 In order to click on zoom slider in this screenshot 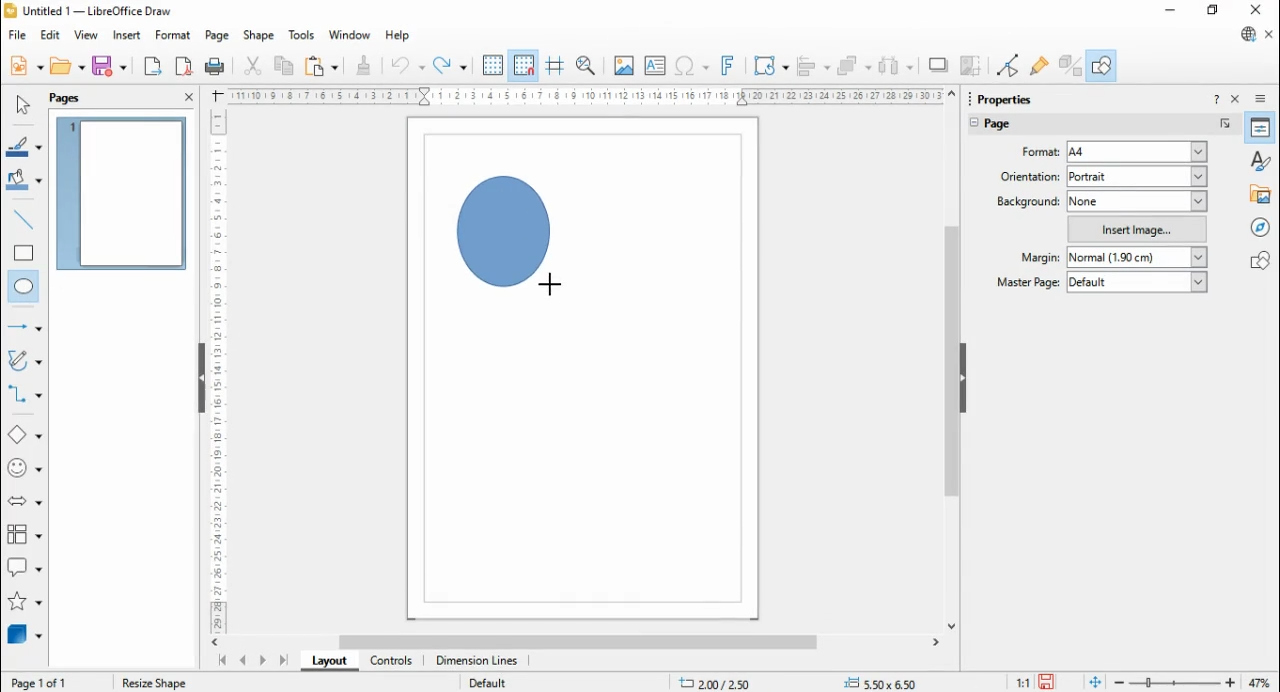, I will do `click(1175, 683)`.